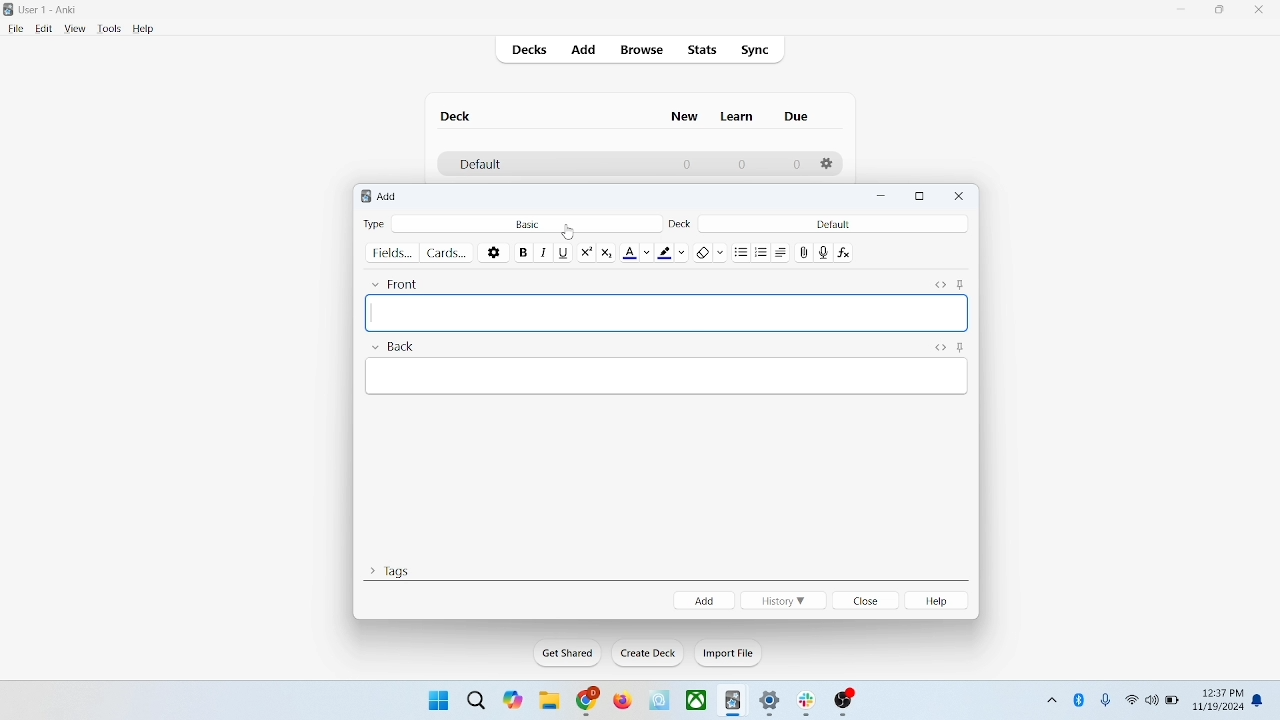  I want to click on basic, so click(527, 224).